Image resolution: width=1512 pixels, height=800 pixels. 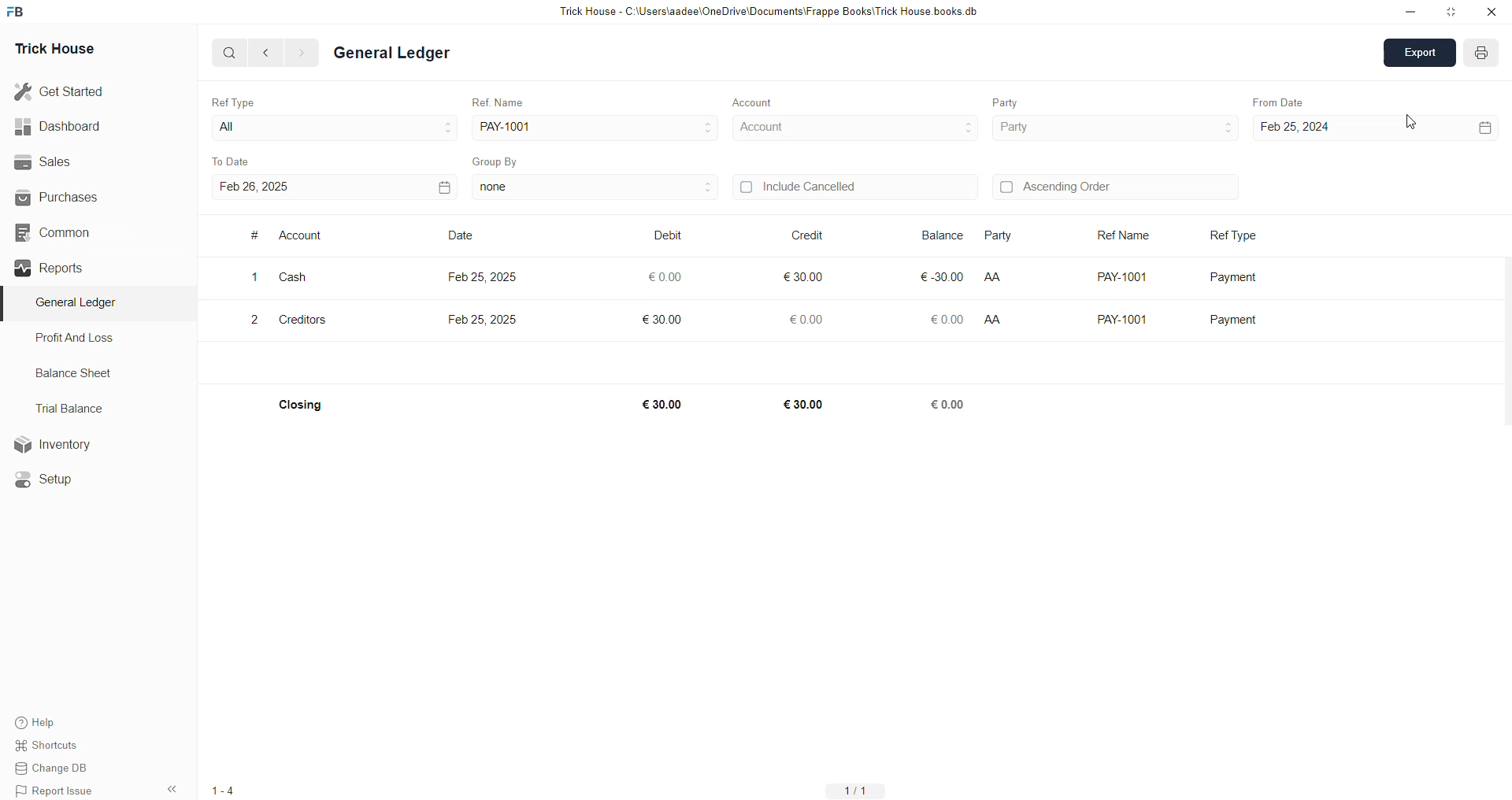 I want to click on Ref Type, so click(x=237, y=102).